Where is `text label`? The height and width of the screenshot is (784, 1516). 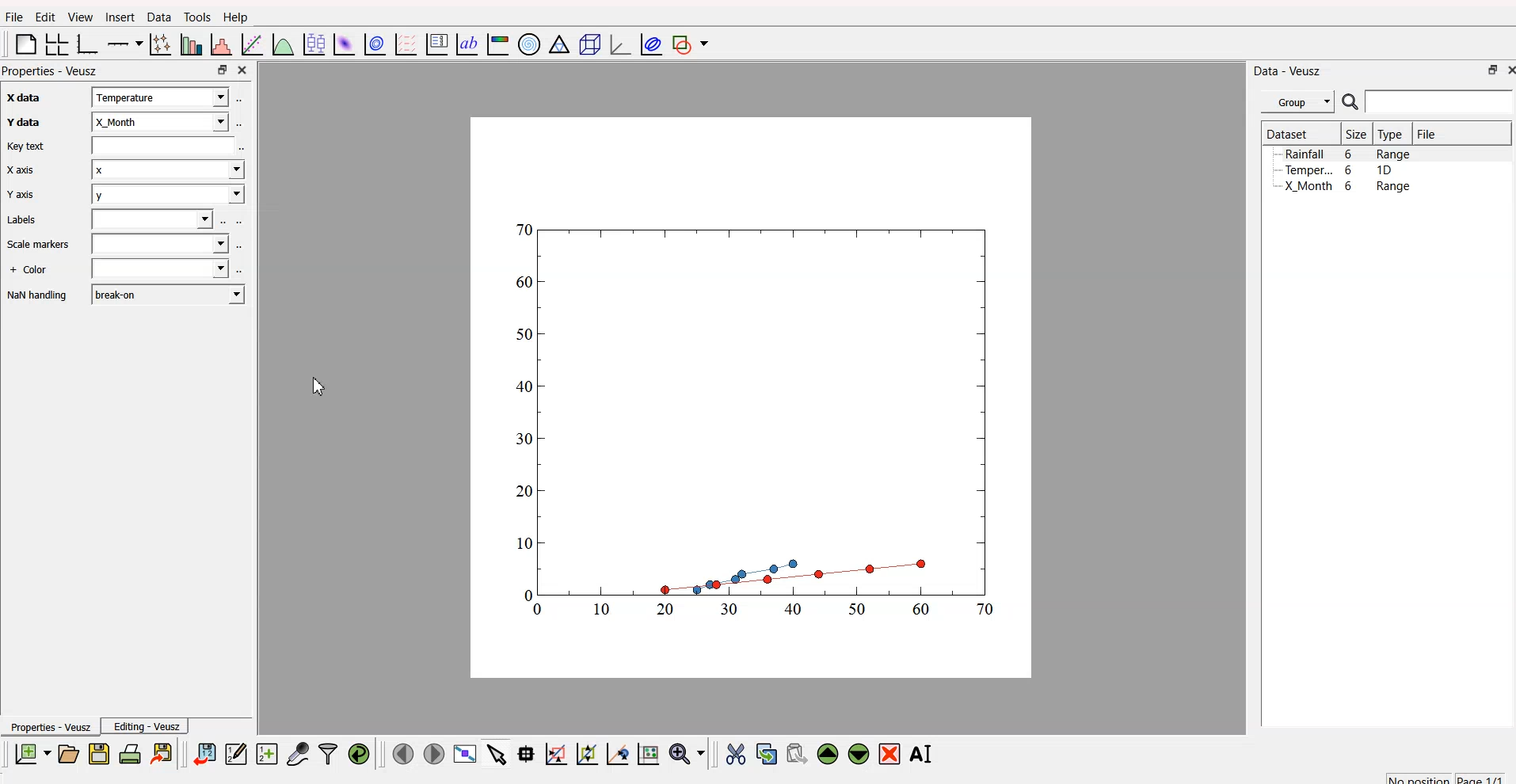
text label is located at coordinates (465, 45).